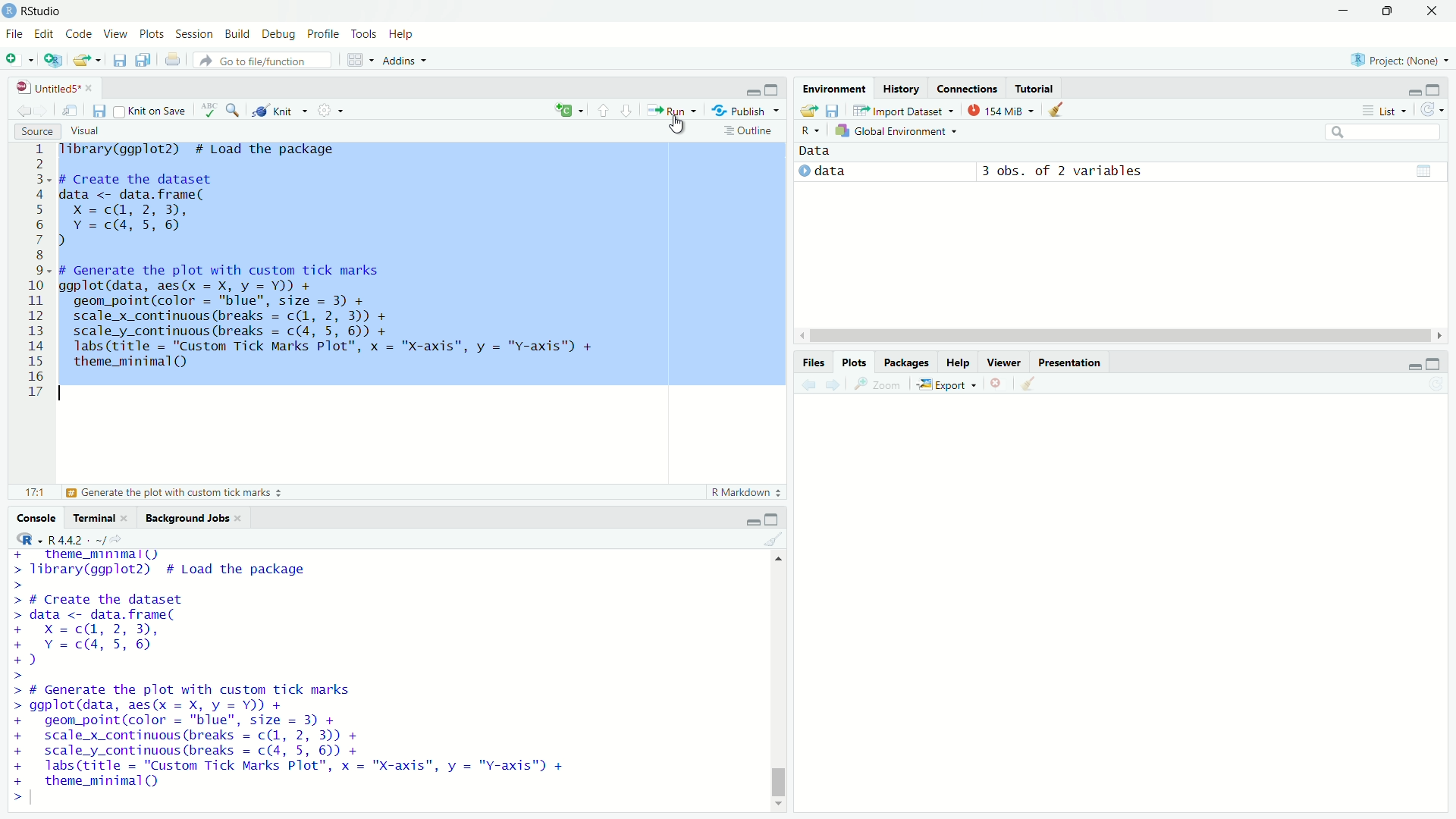 Image resolution: width=1456 pixels, height=819 pixels. Describe the element at coordinates (1340, 11) in the screenshot. I see `minimize` at that location.